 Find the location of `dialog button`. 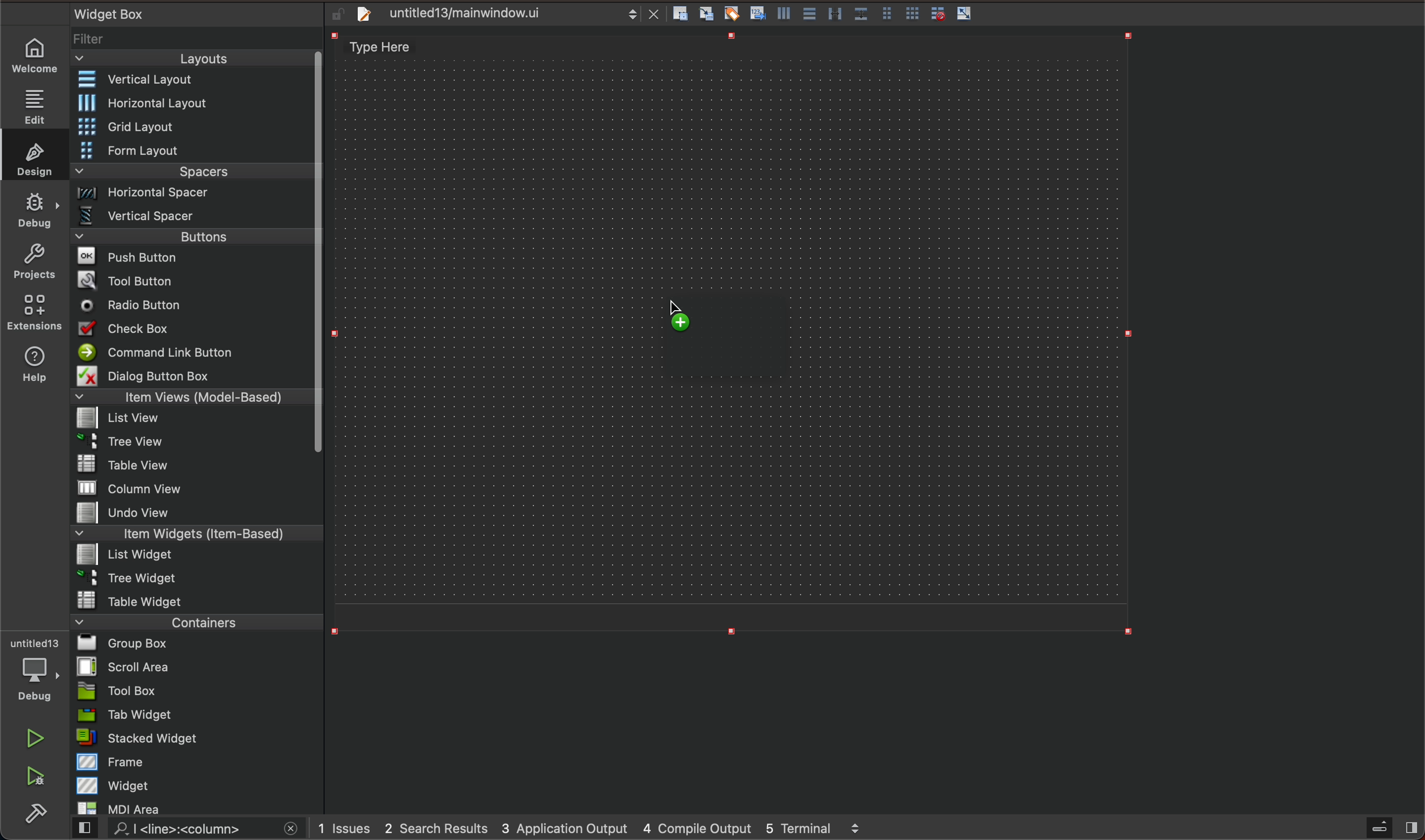

dialog button is located at coordinates (194, 375).